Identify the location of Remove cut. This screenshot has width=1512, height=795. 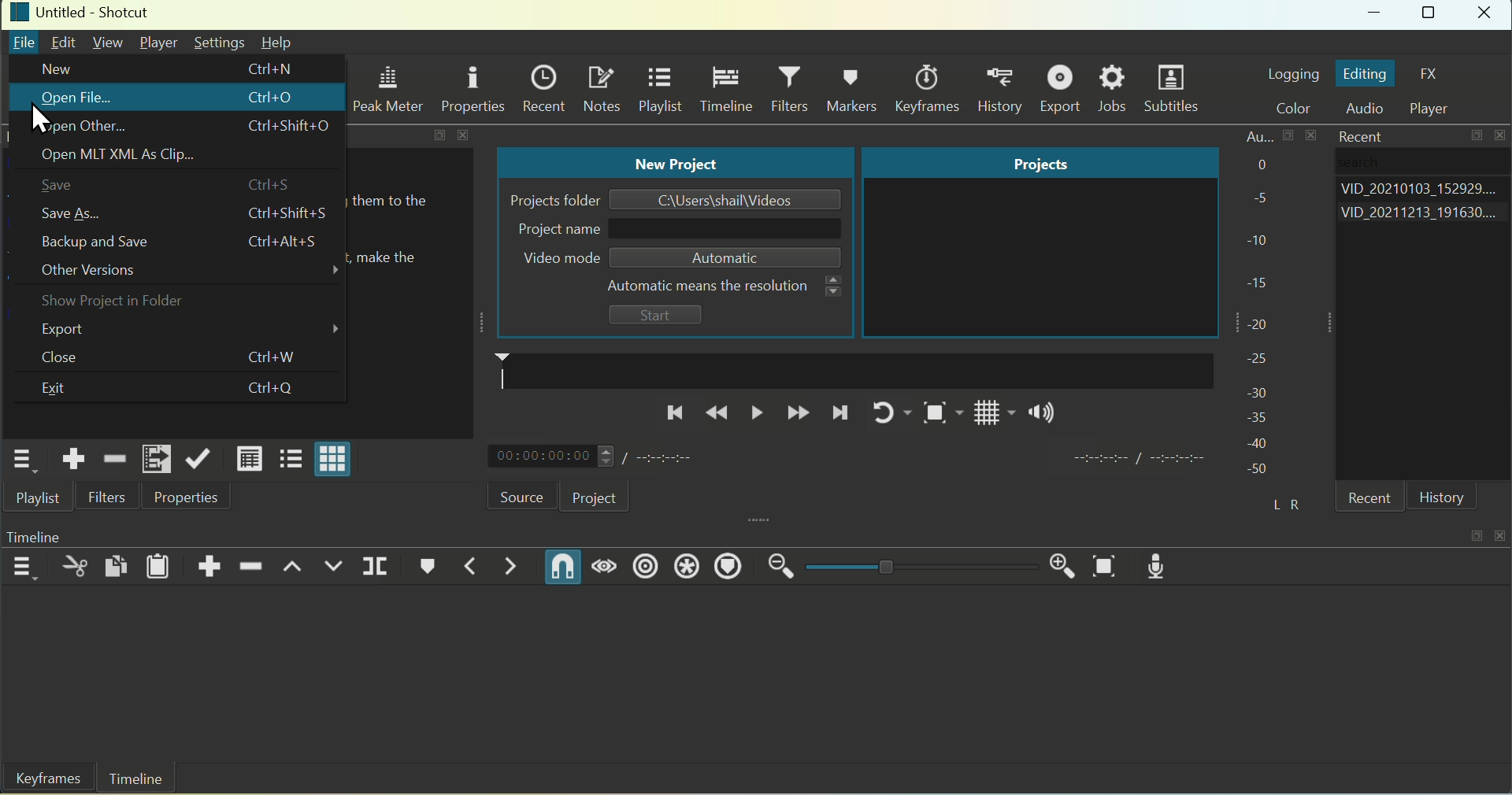
(113, 457).